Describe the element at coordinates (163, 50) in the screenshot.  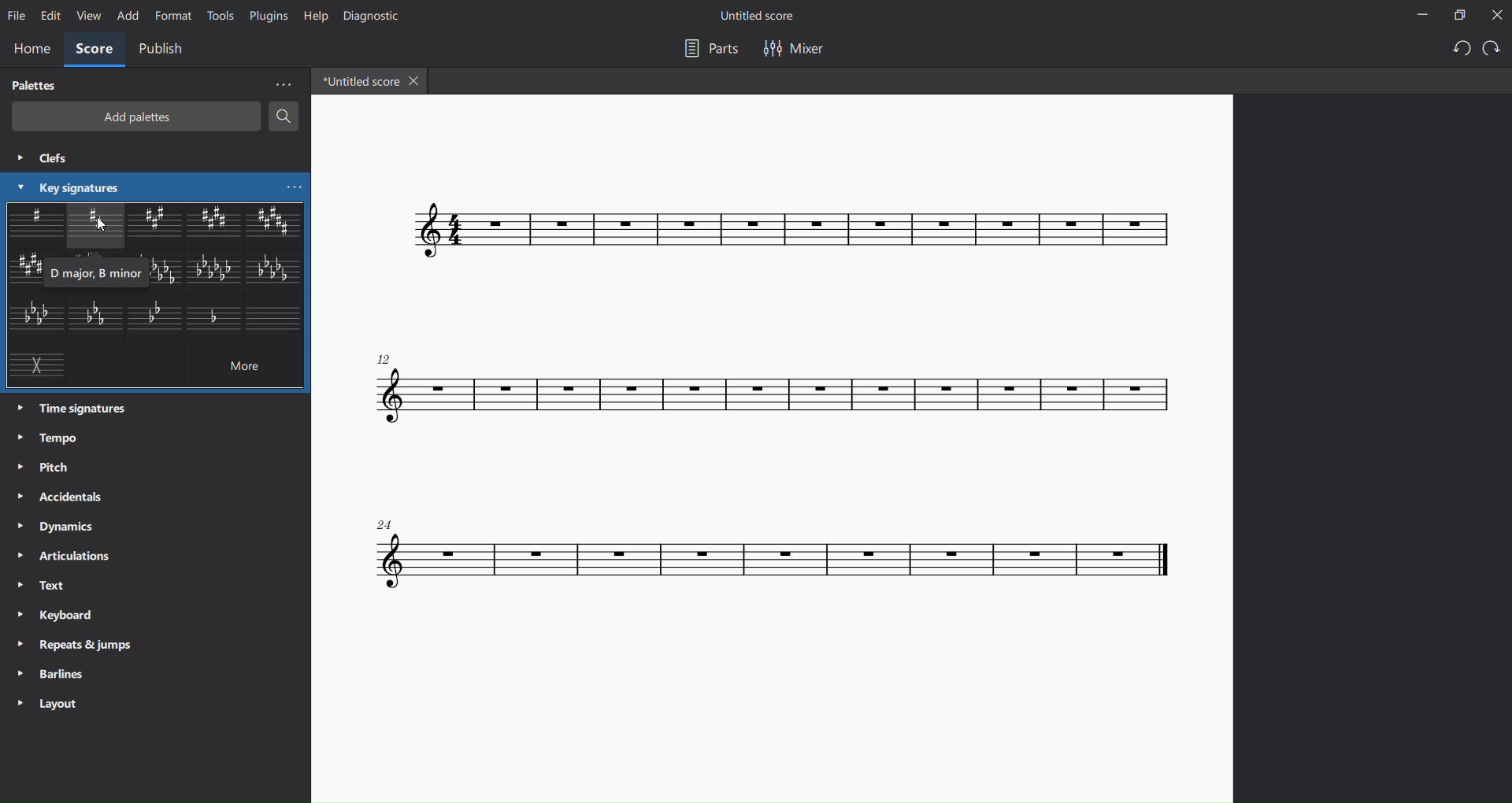
I see `publish` at that location.